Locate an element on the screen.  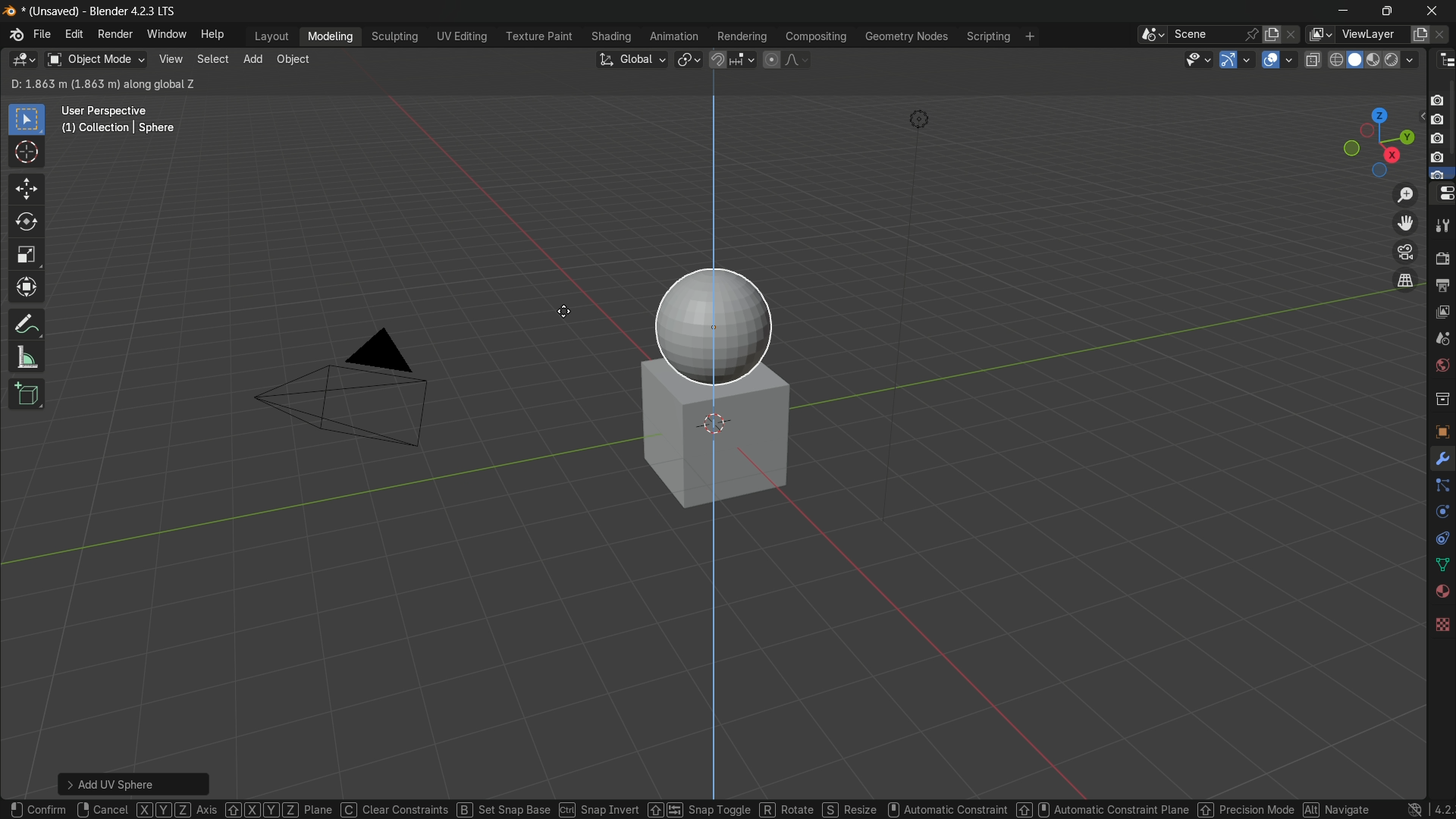
selectability and visibility is located at coordinates (1199, 61).